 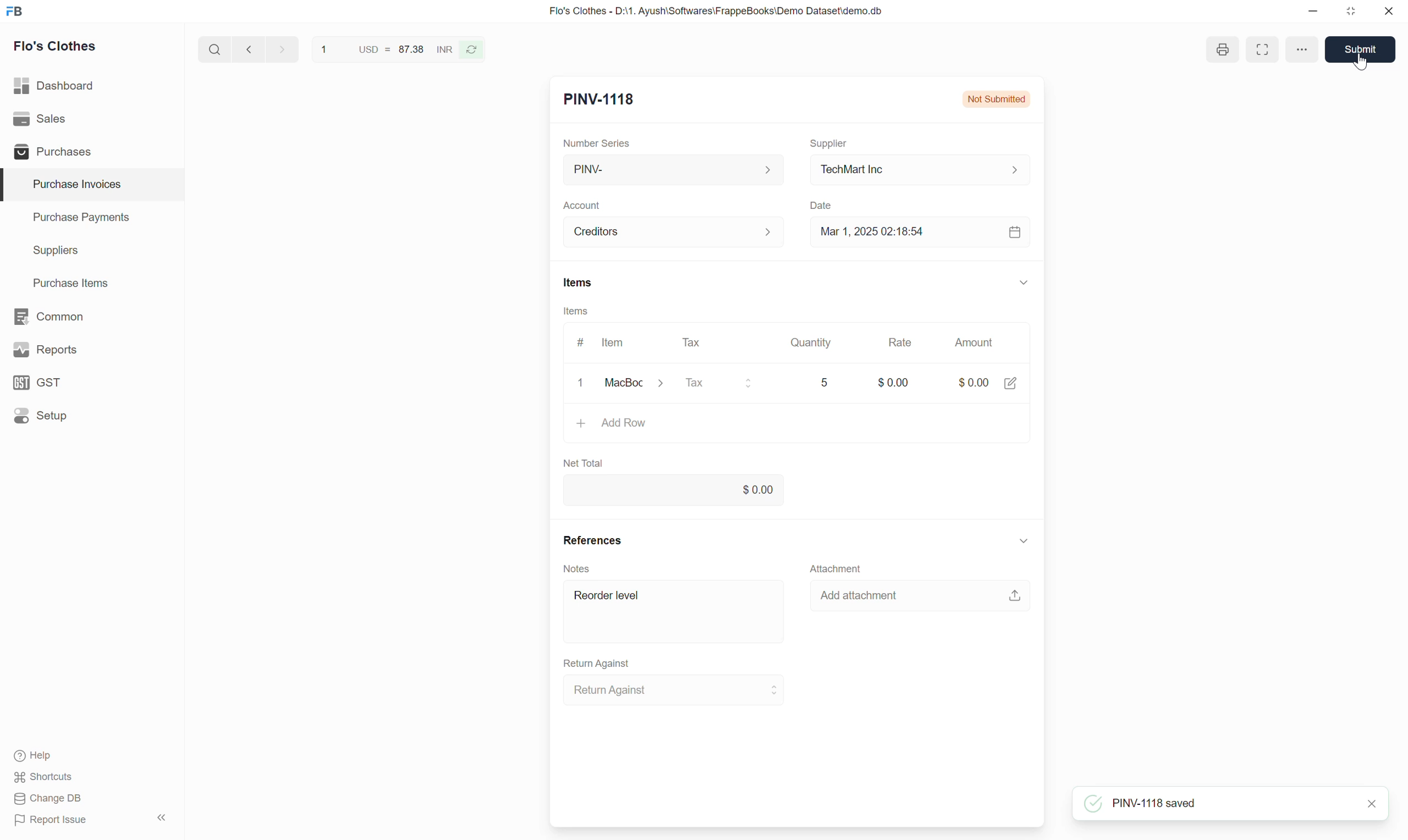 What do you see at coordinates (1364, 49) in the screenshot?
I see `Submit` at bounding box center [1364, 49].